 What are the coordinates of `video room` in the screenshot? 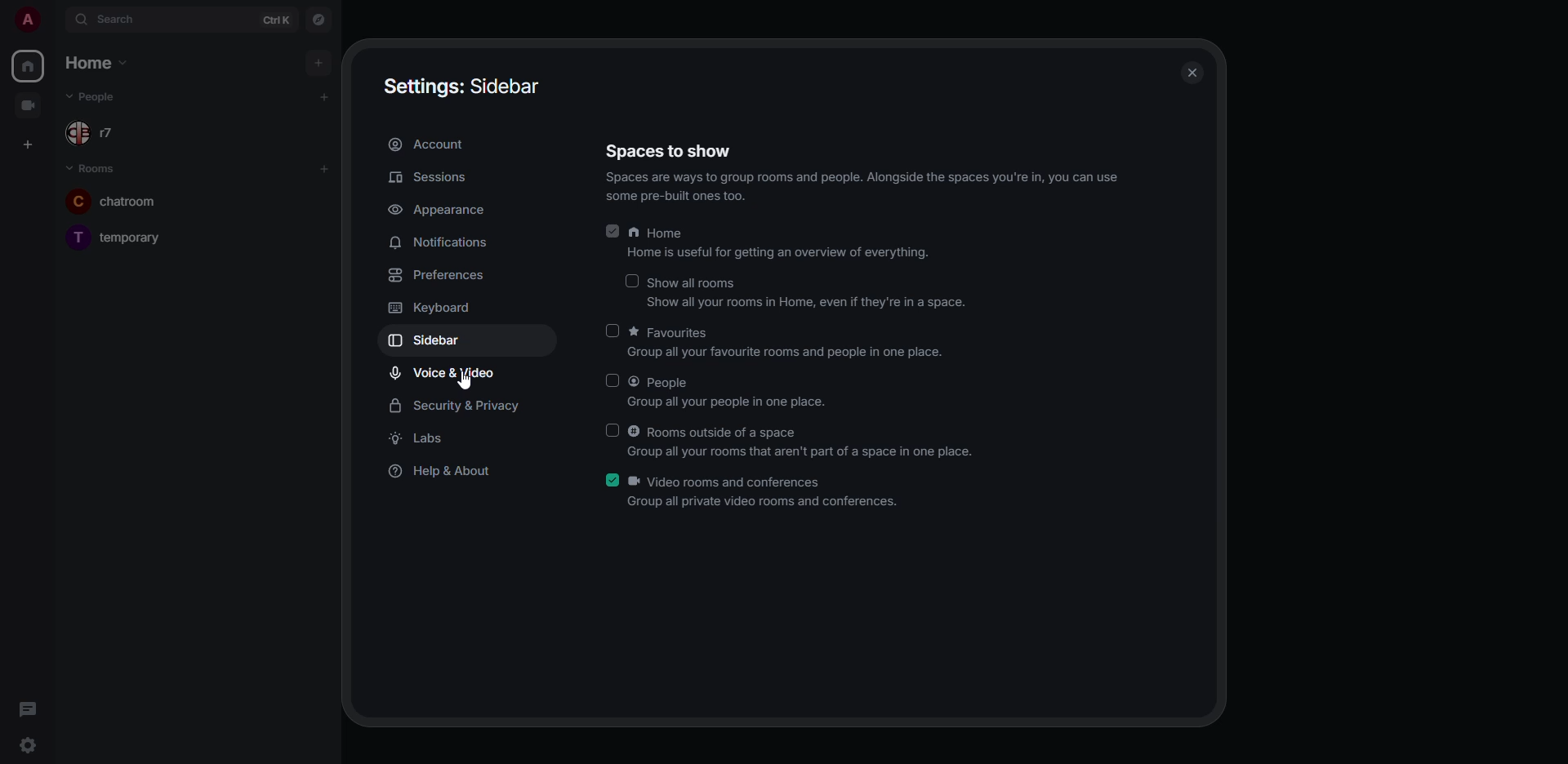 It's located at (28, 104).